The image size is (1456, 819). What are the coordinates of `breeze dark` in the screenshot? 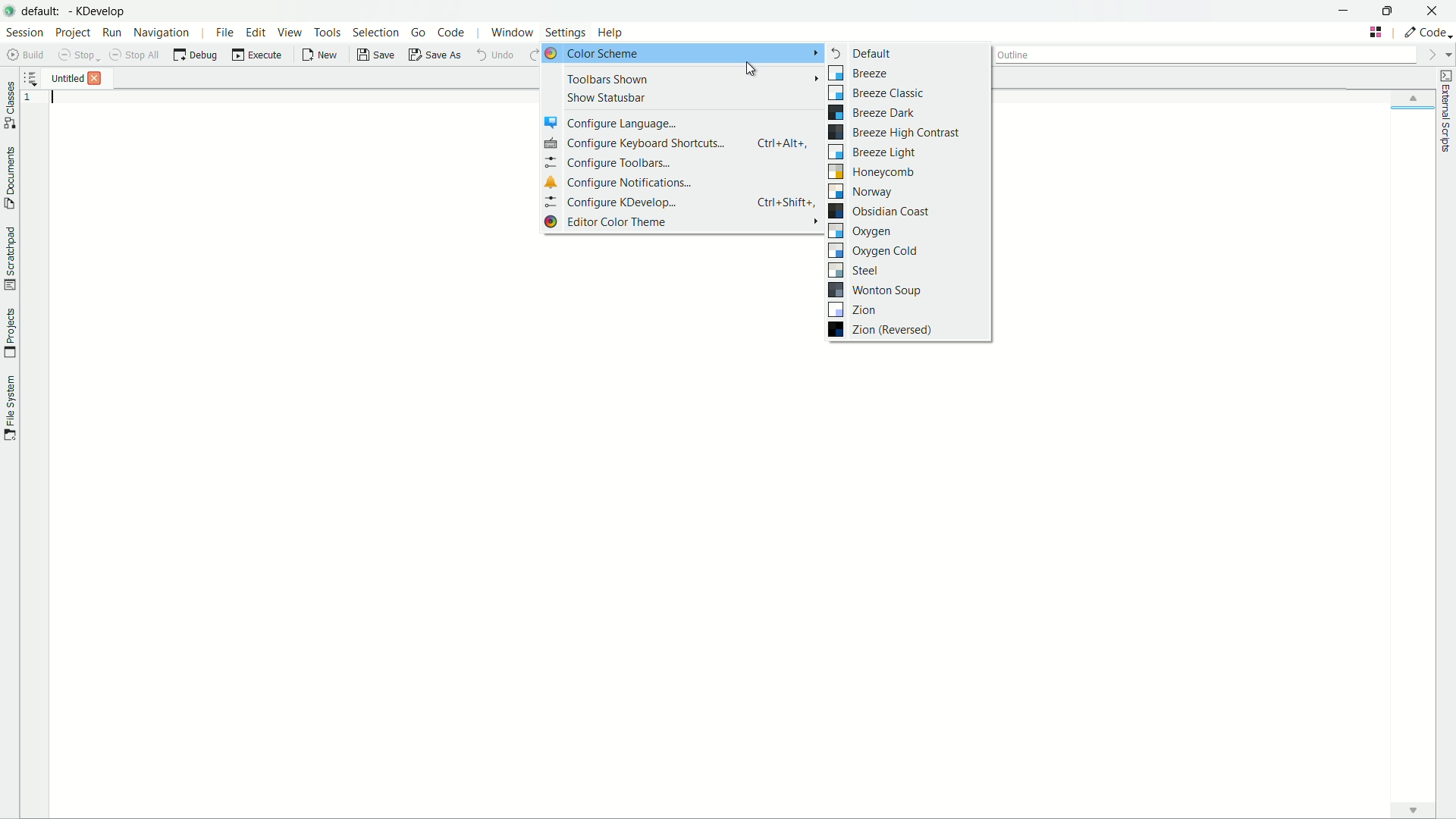 It's located at (871, 113).